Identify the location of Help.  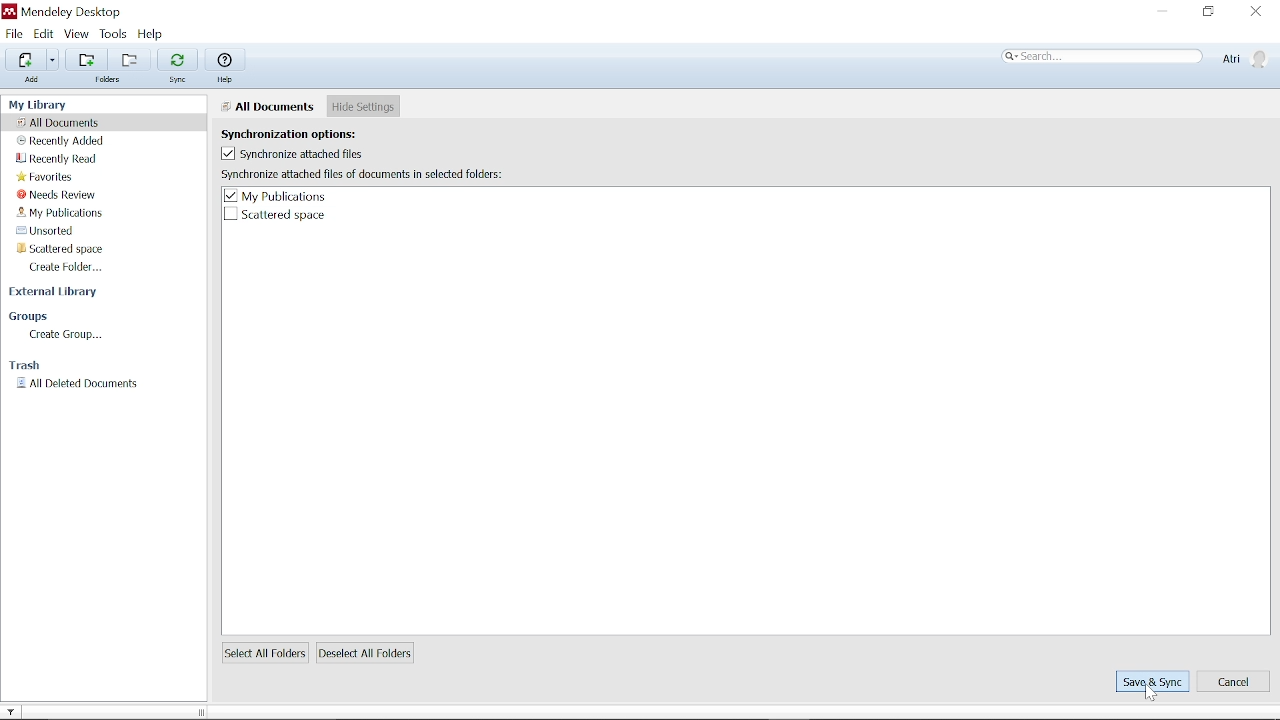
(228, 60).